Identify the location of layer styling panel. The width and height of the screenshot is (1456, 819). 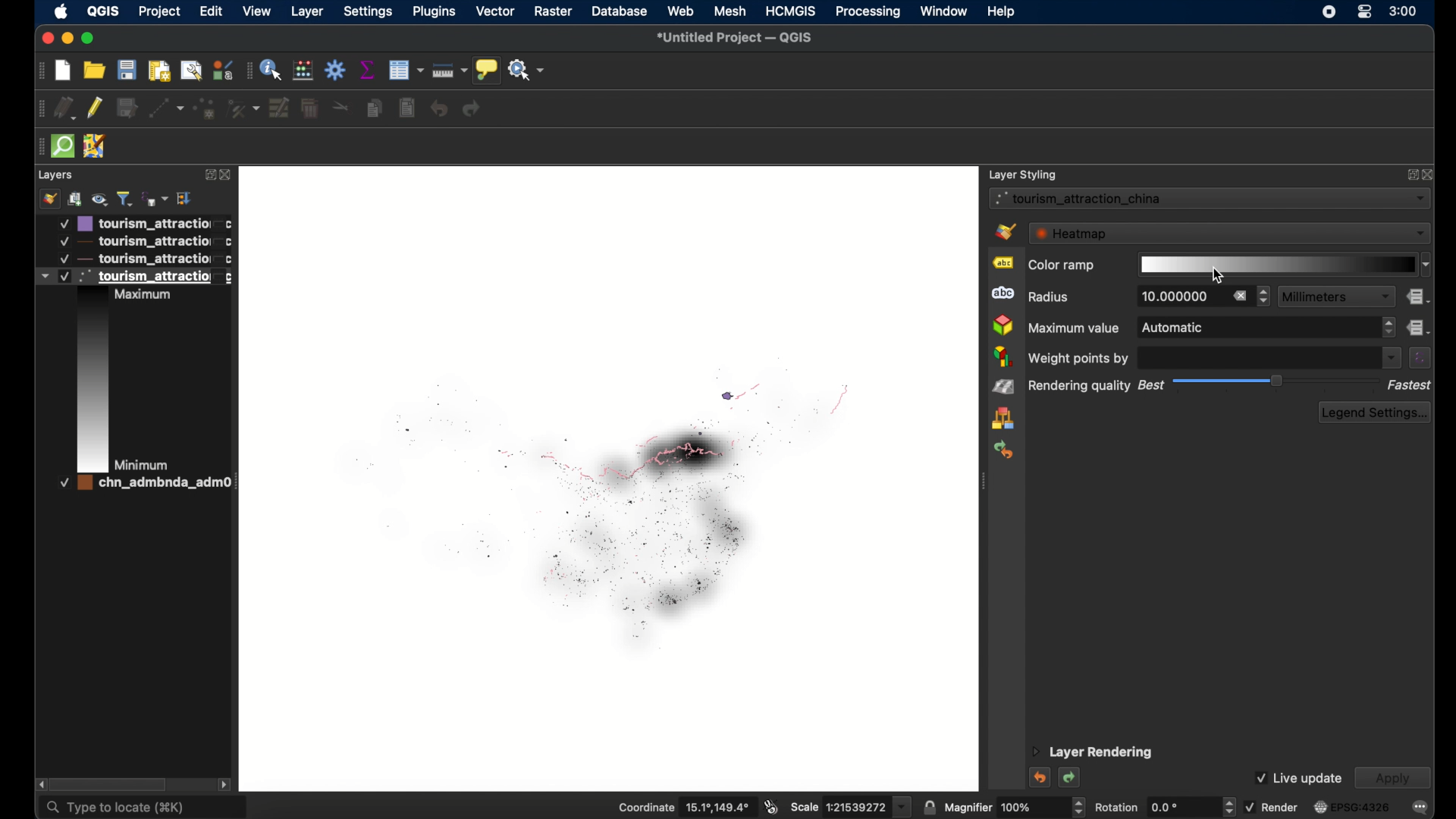
(1023, 173).